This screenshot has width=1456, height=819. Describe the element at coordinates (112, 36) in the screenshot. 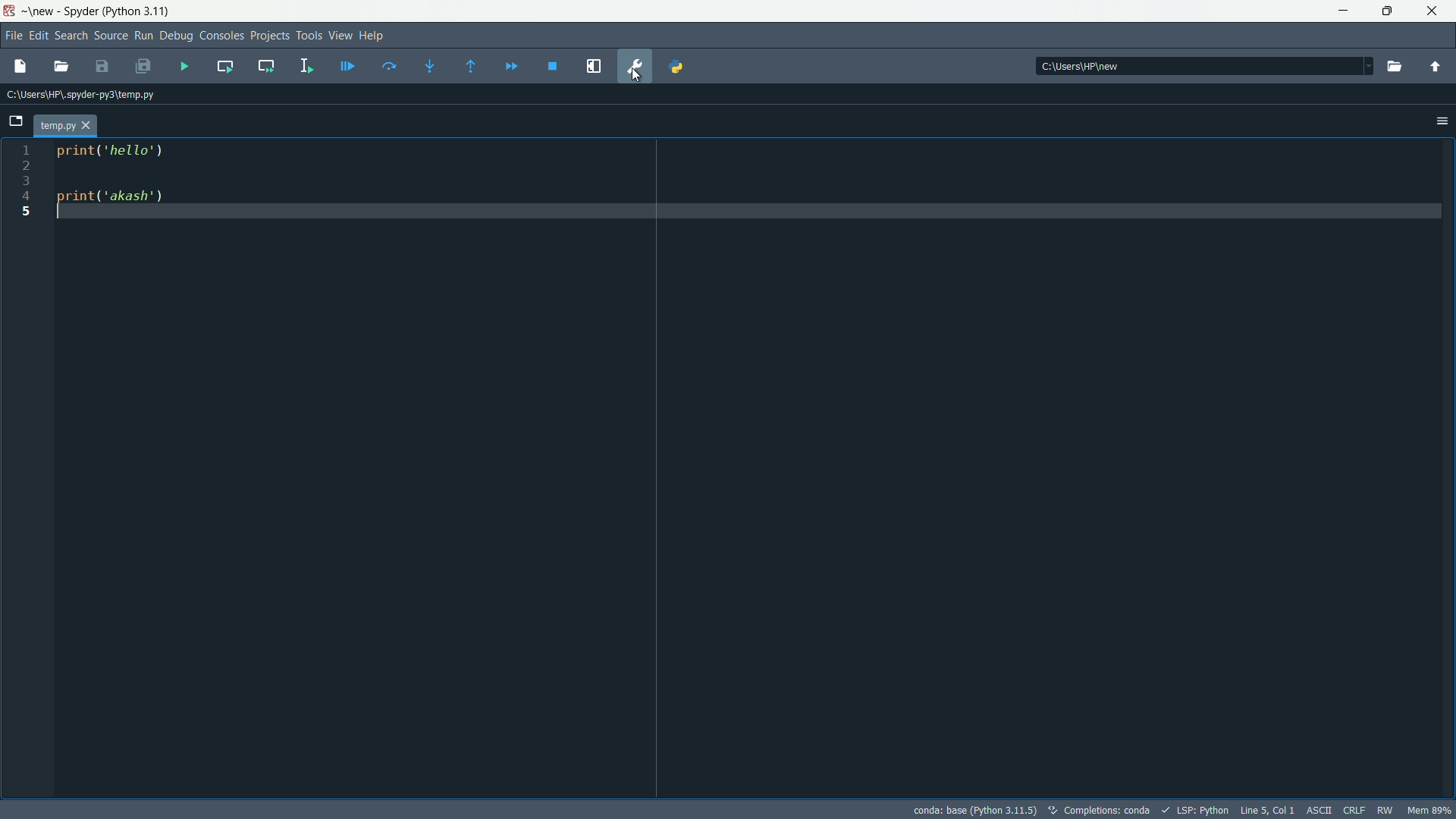

I see `source menu` at that location.